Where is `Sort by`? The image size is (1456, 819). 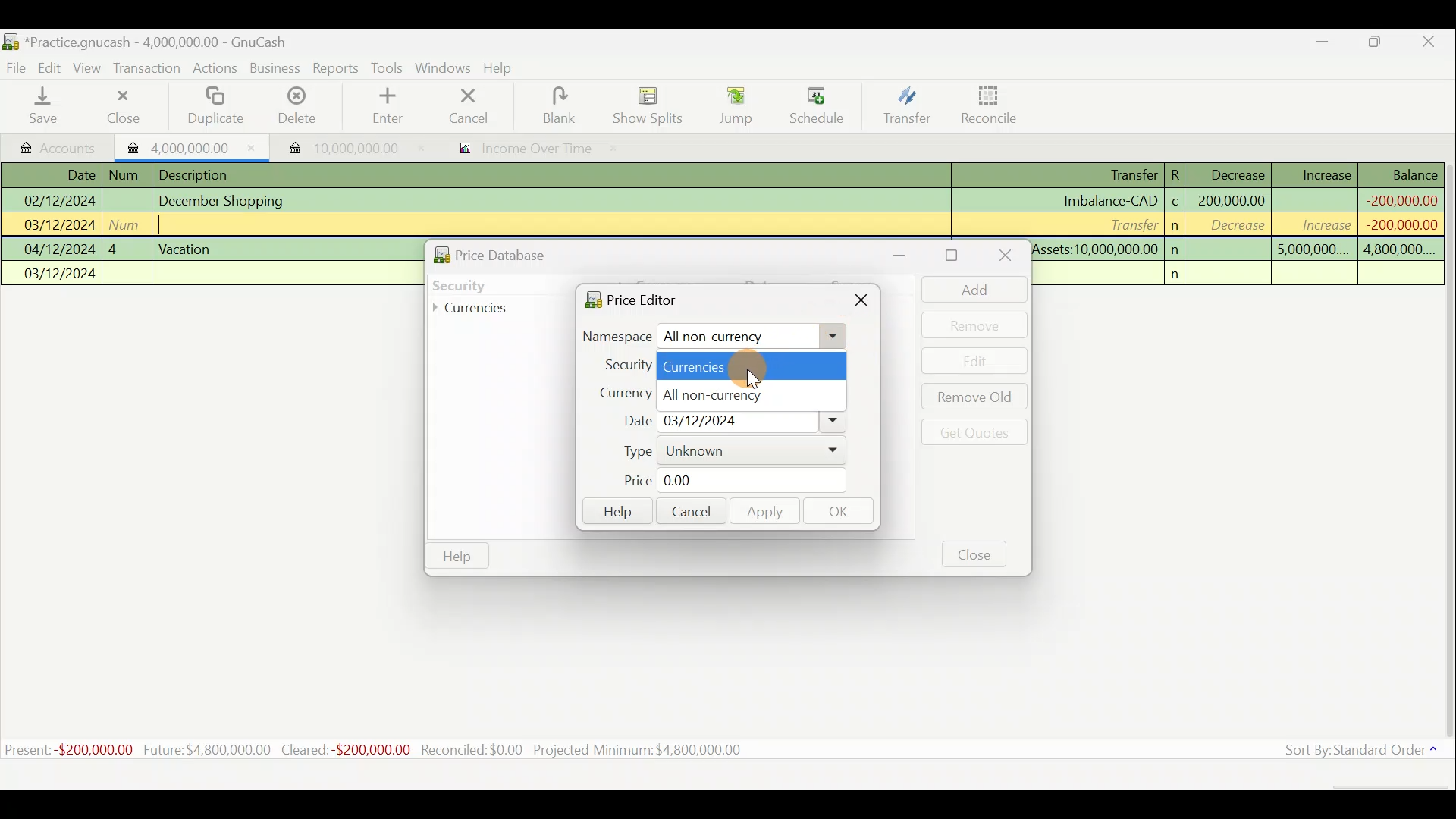
Sort by is located at coordinates (1354, 752).